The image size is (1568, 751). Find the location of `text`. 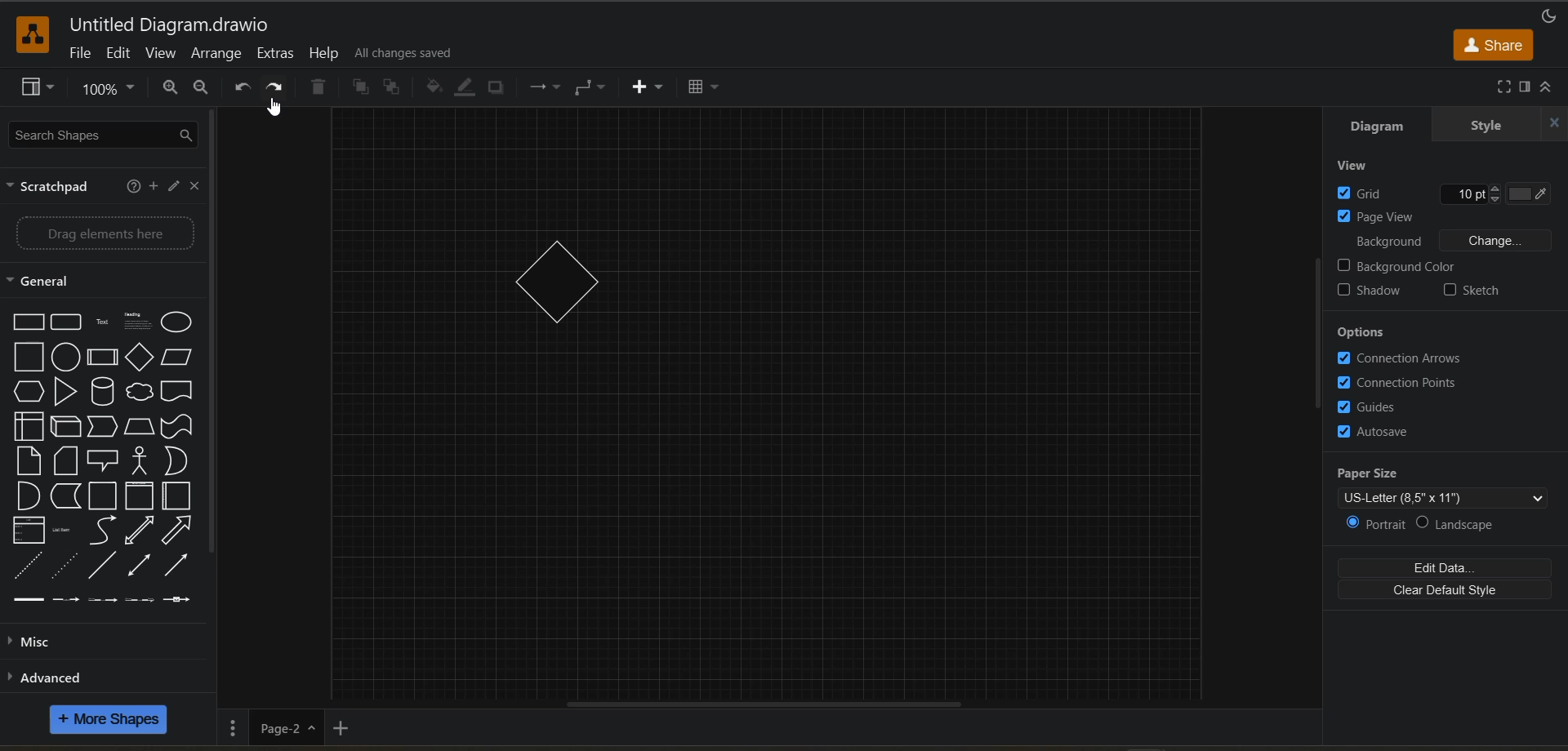

text is located at coordinates (101, 323).